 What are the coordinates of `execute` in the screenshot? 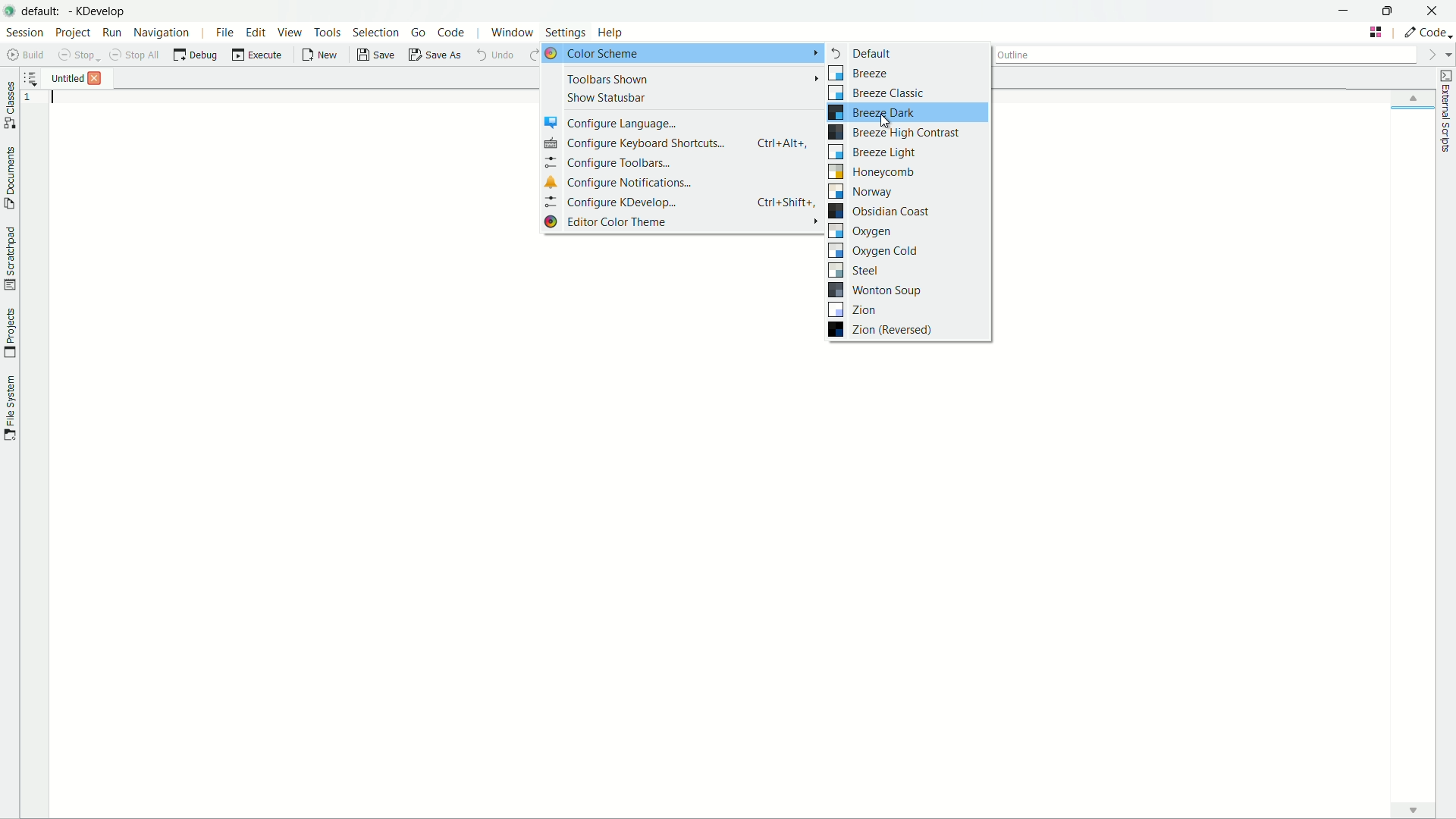 It's located at (258, 55).